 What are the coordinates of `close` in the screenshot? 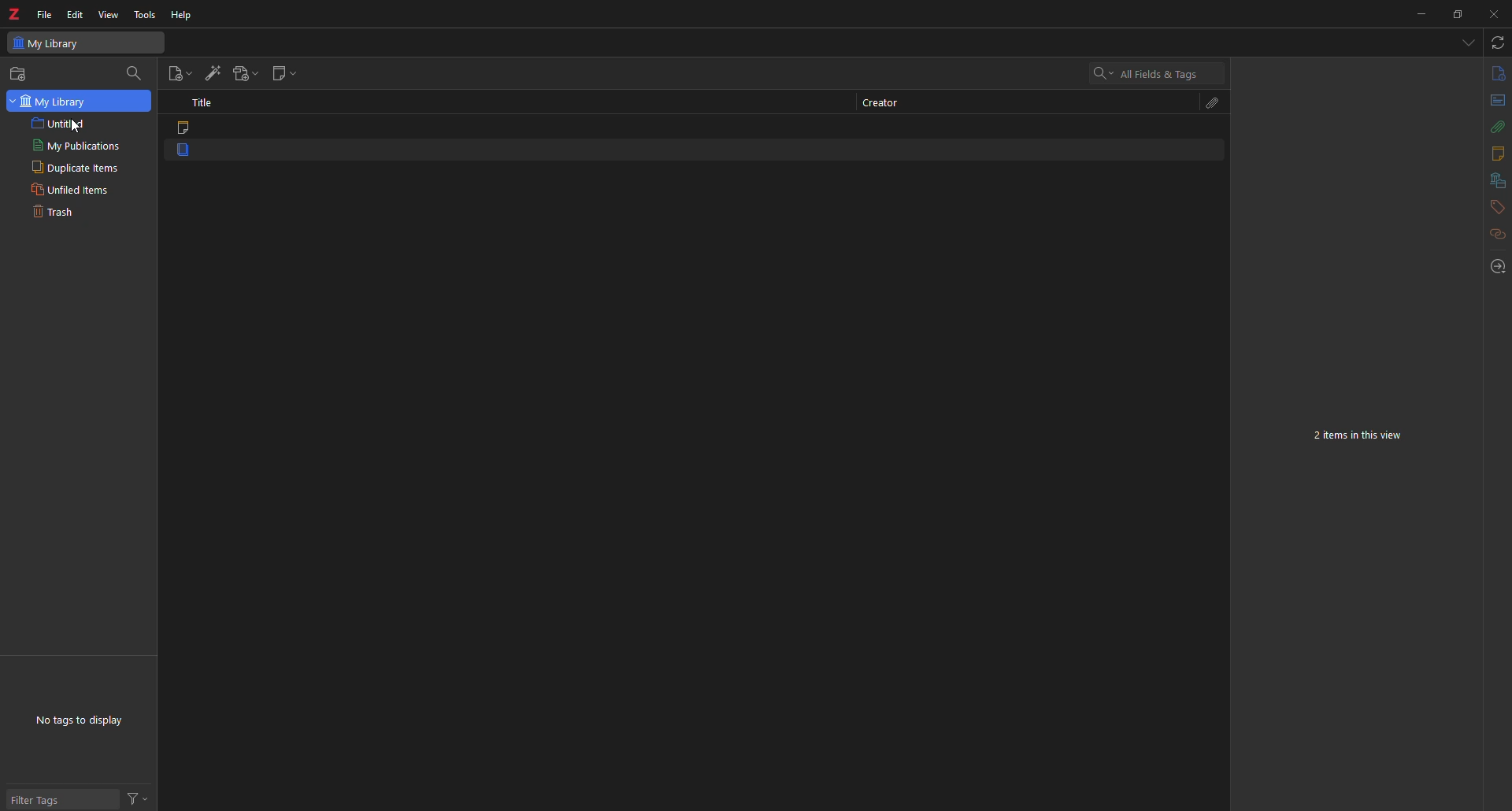 It's located at (1496, 17).